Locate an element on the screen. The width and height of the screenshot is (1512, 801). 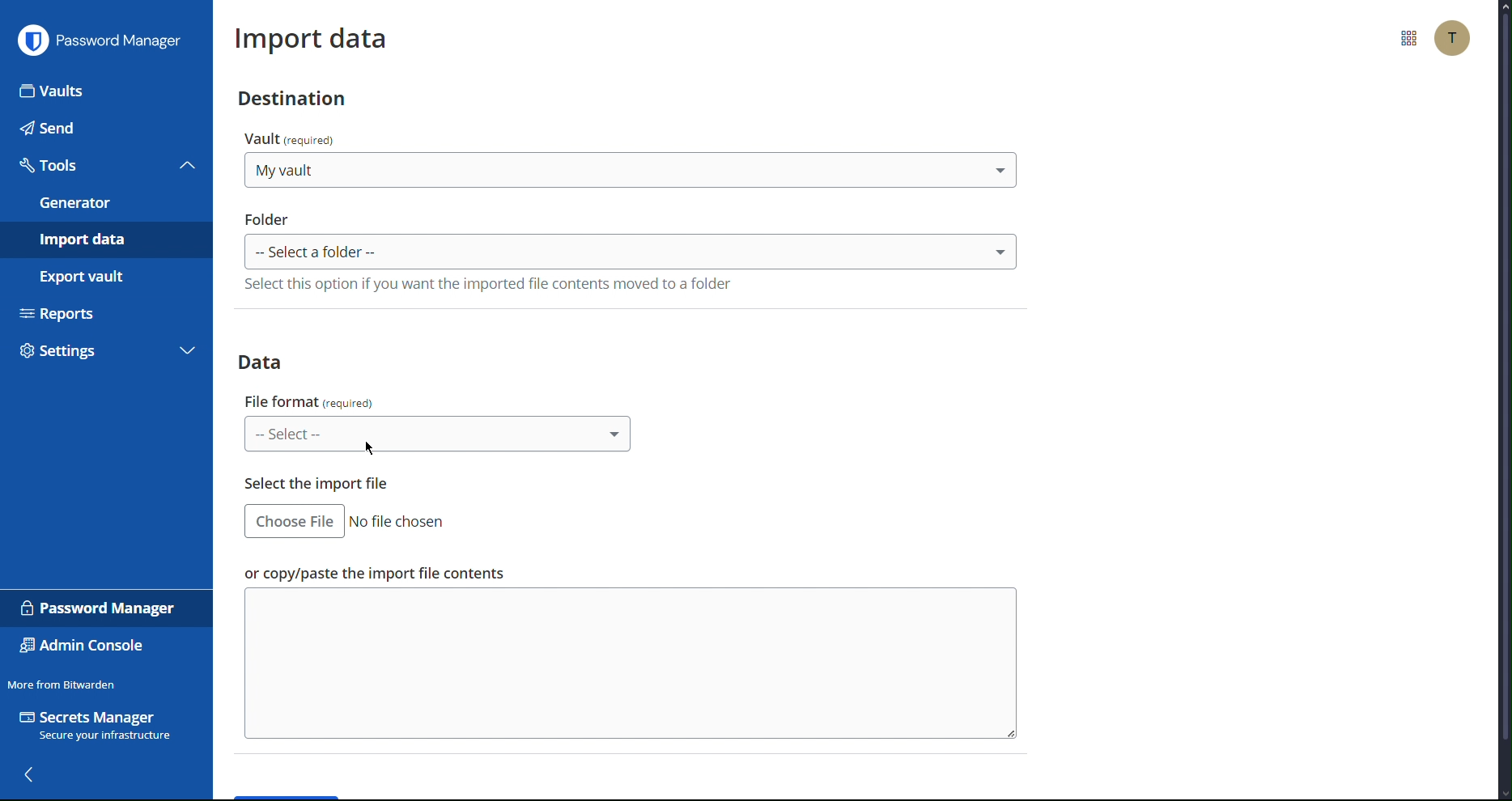
Move from Bitwarden is located at coordinates (62, 684).